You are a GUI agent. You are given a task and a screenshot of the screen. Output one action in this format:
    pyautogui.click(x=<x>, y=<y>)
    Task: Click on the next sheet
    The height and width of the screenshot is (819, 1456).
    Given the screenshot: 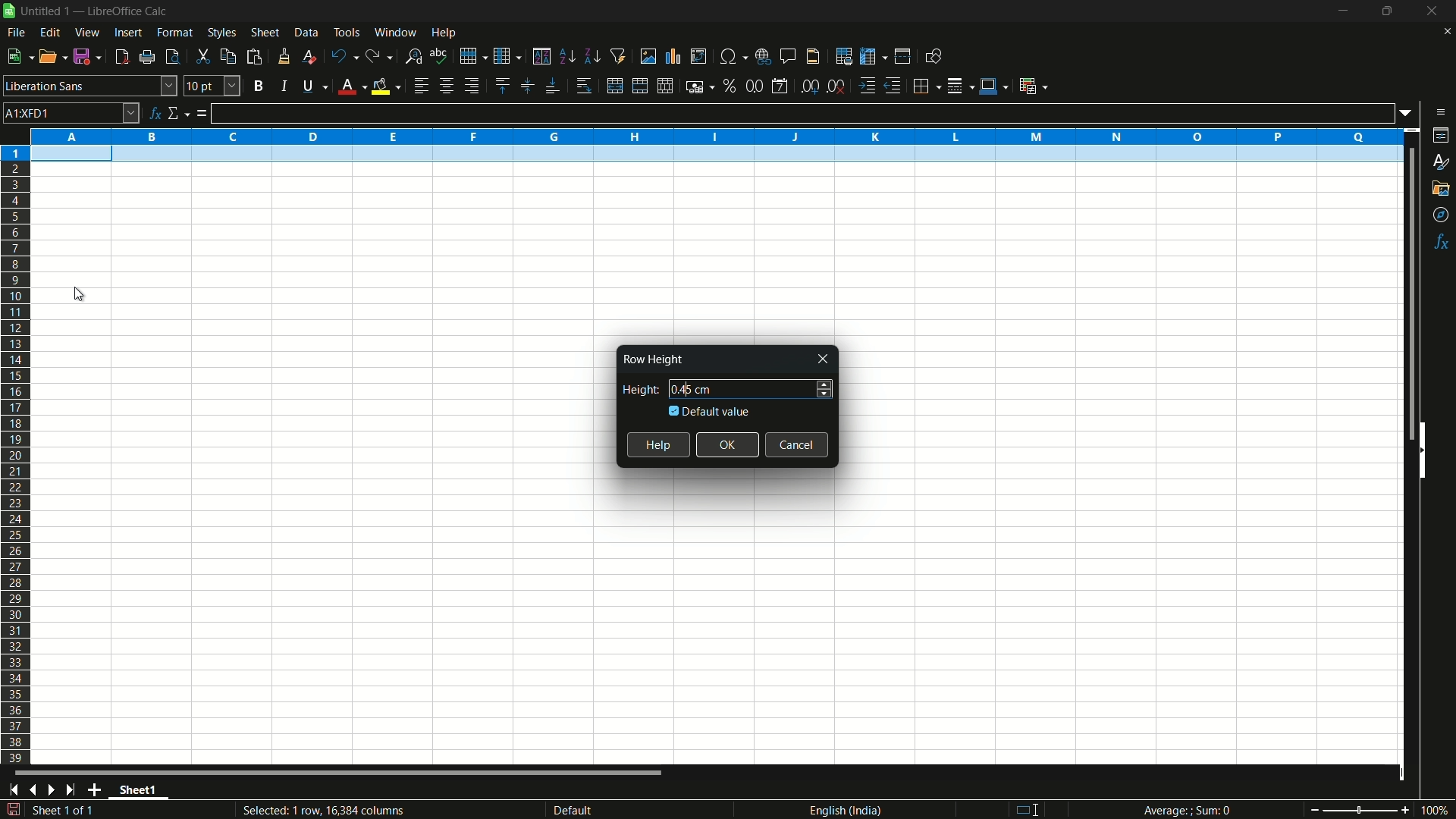 What is the action you would take?
    pyautogui.click(x=55, y=789)
    